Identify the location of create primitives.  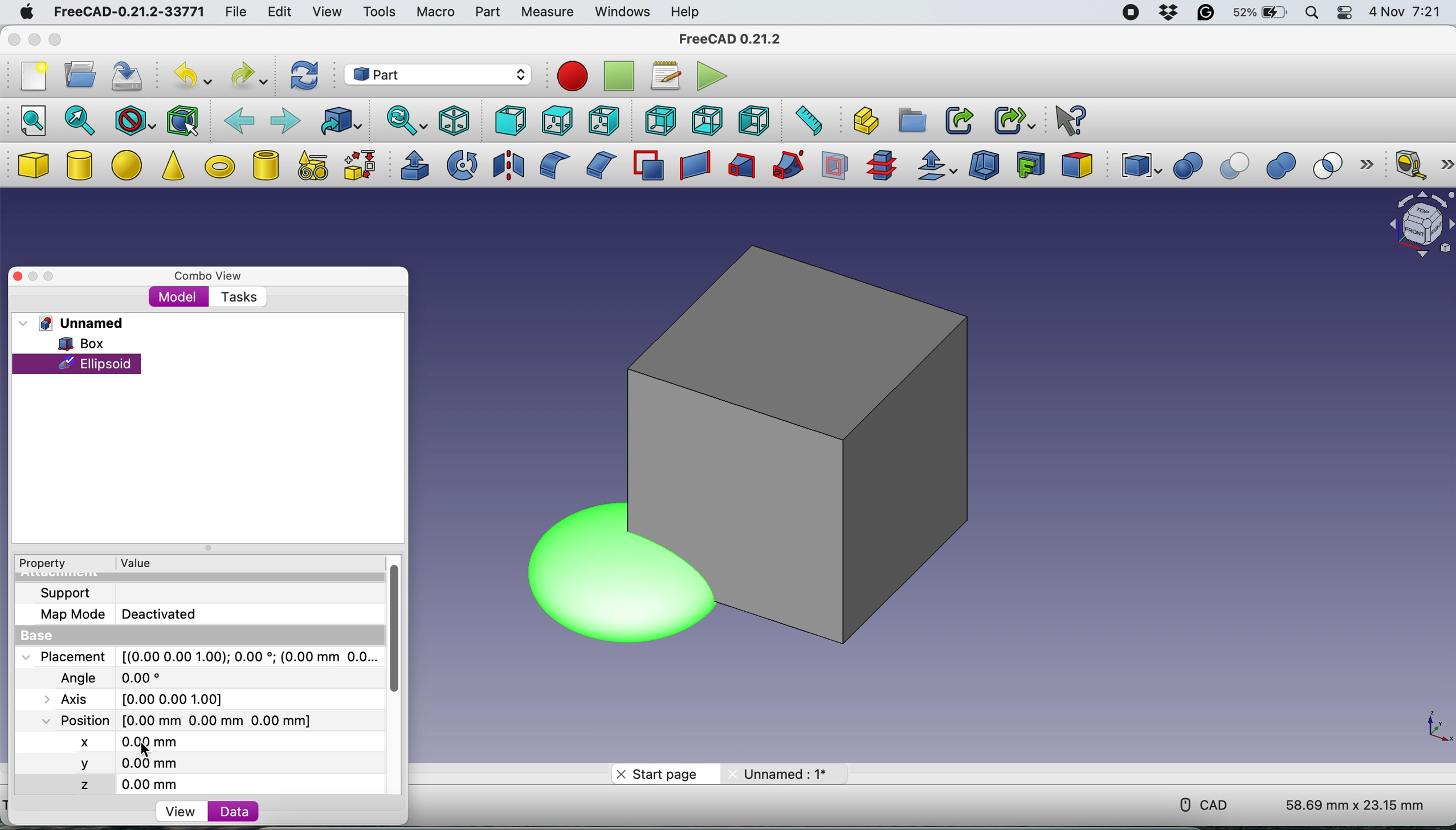
(309, 166).